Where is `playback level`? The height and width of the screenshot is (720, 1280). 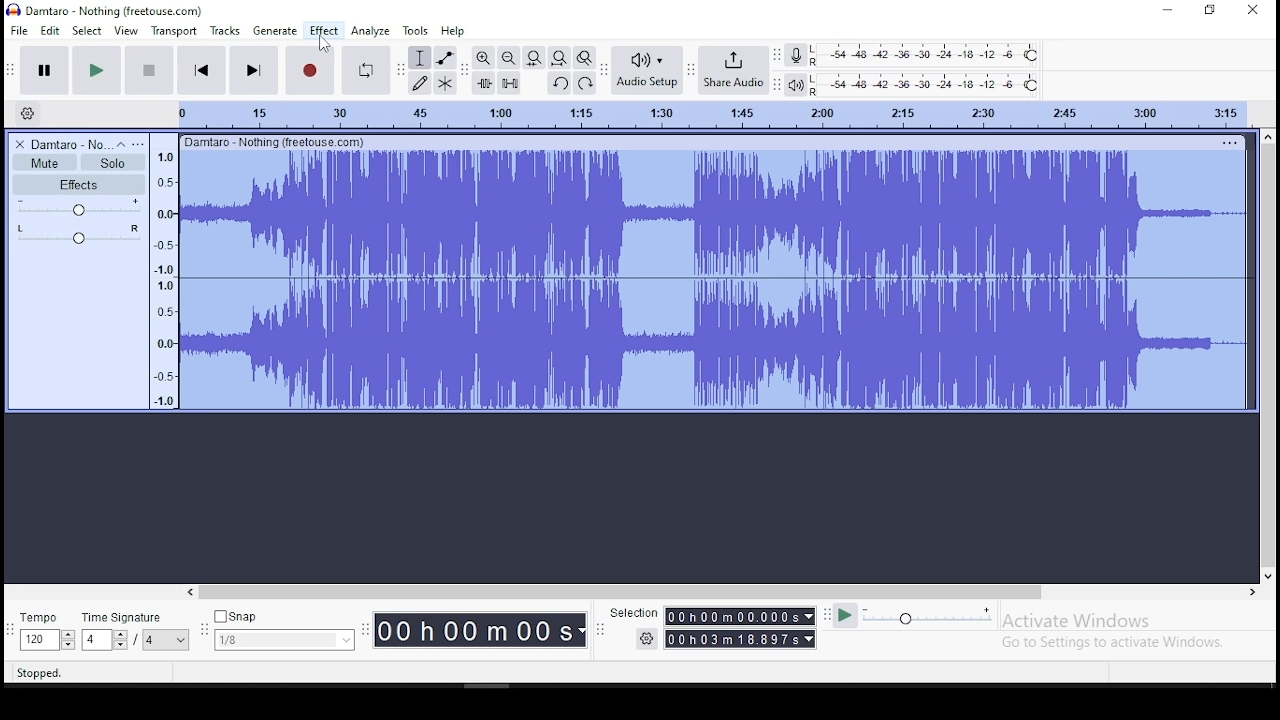 playback level is located at coordinates (927, 84).